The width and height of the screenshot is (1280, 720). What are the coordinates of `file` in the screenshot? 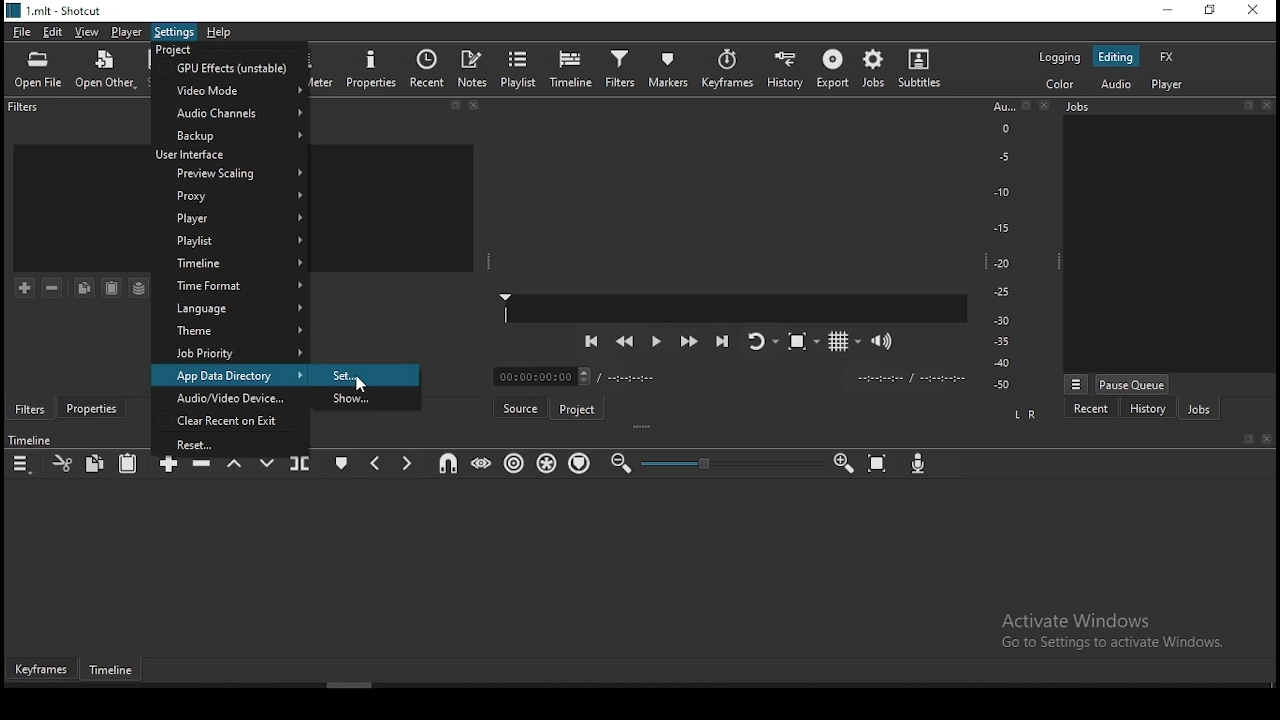 It's located at (20, 30).